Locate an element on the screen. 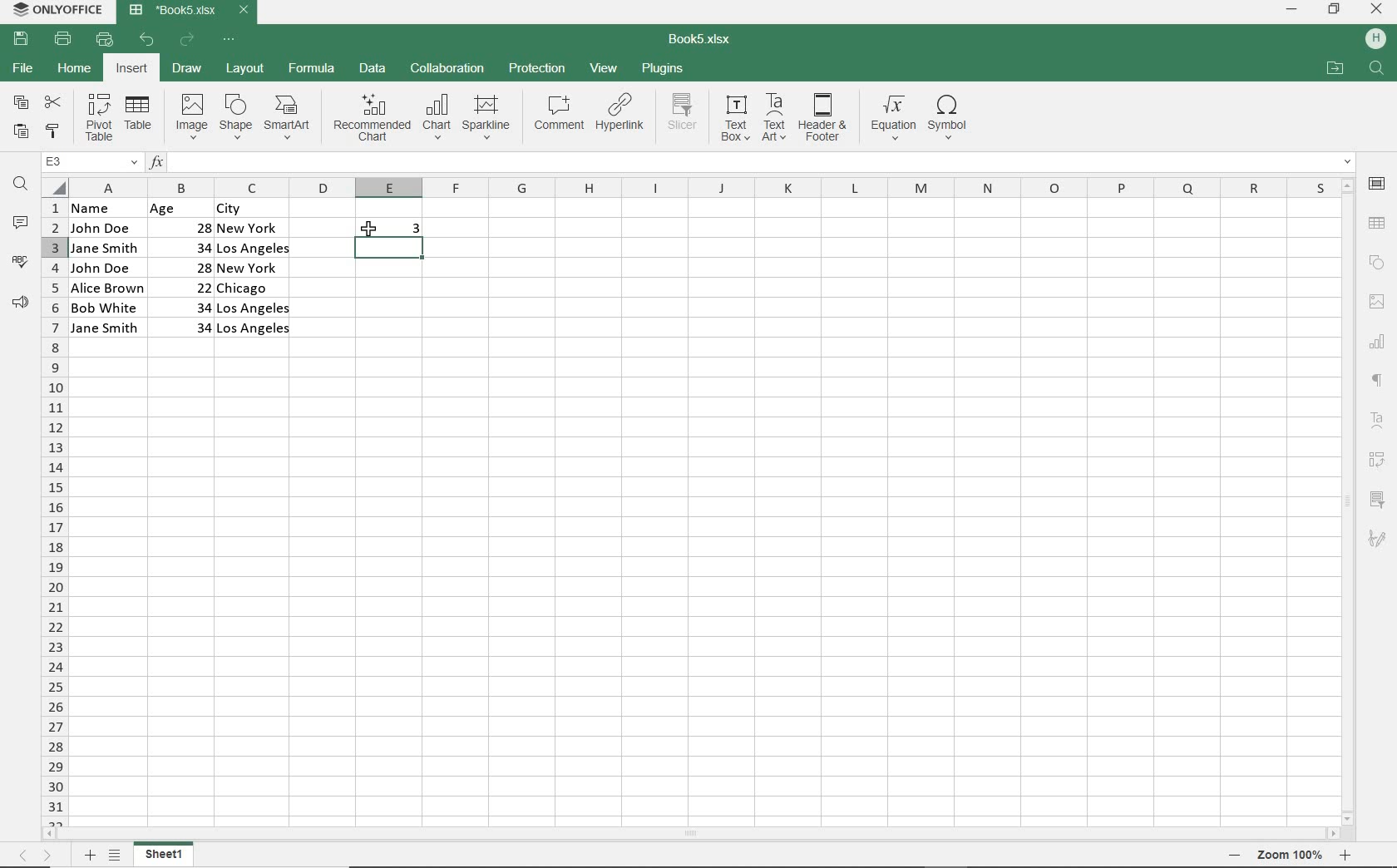  22 is located at coordinates (190, 286).